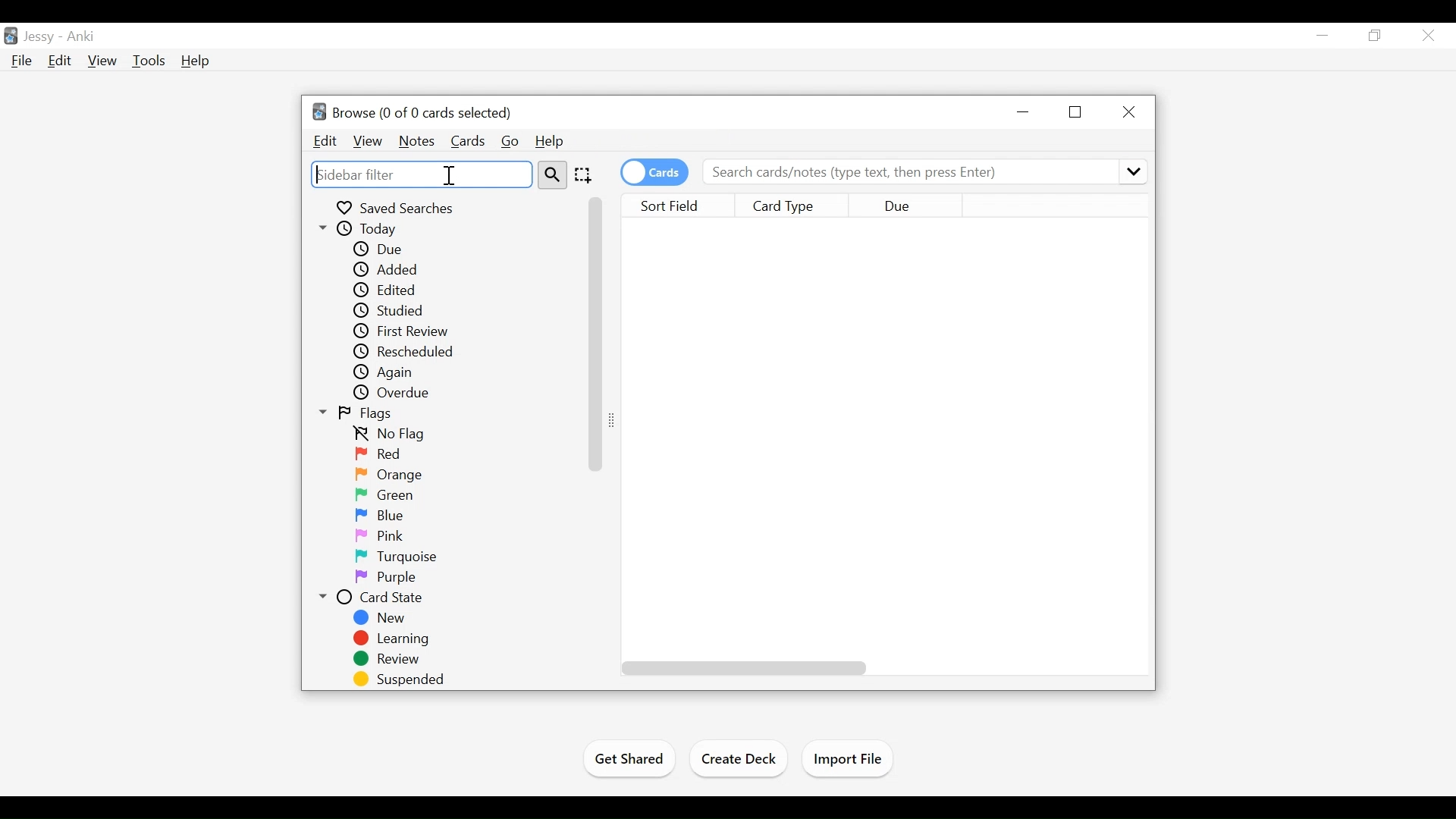 The image size is (1456, 819). What do you see at coordinates (61, 61) in the screenshot?
I see `Edit` at bounding box center [61, 61].